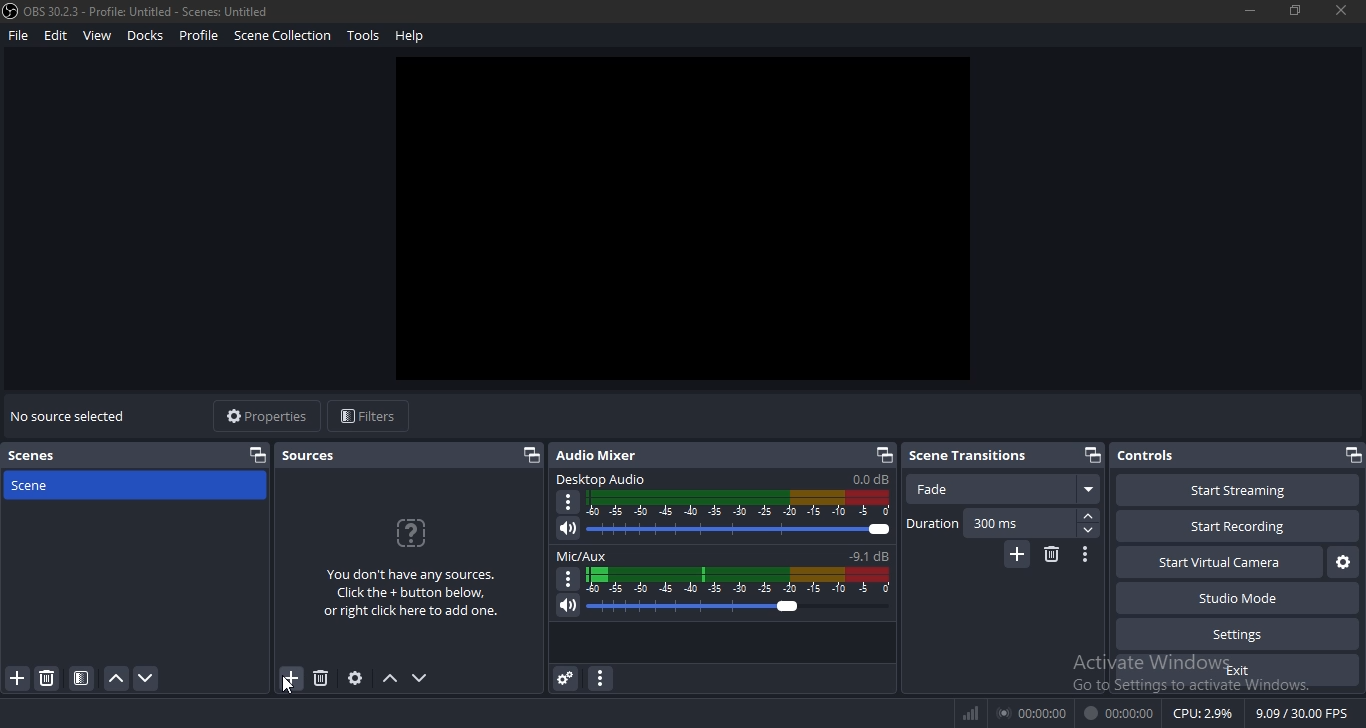  What do you see at coordinates (266, 417) in the screenshot?
I see `properties` at bounding box center [266, 417].